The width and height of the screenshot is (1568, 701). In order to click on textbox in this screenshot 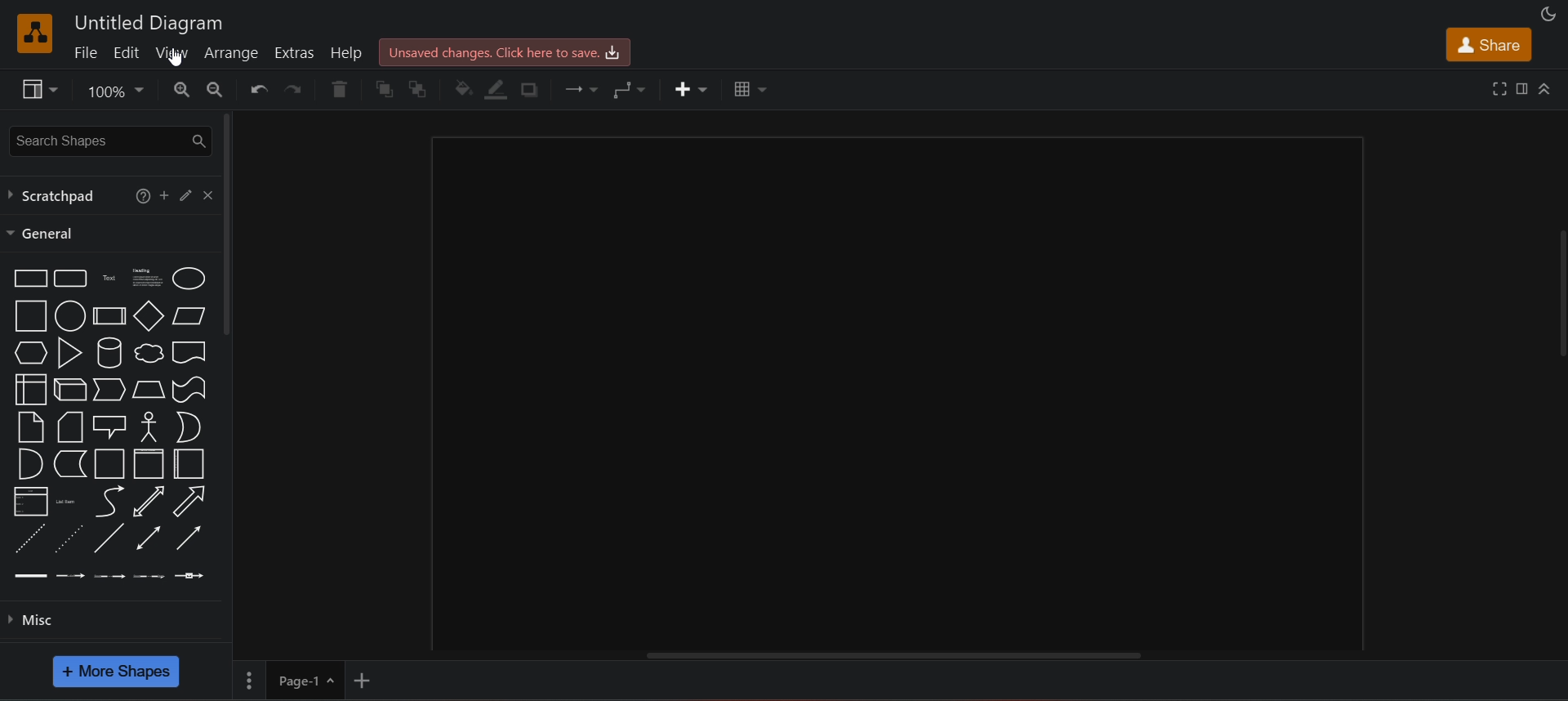, I will do `click(145, 276)`.